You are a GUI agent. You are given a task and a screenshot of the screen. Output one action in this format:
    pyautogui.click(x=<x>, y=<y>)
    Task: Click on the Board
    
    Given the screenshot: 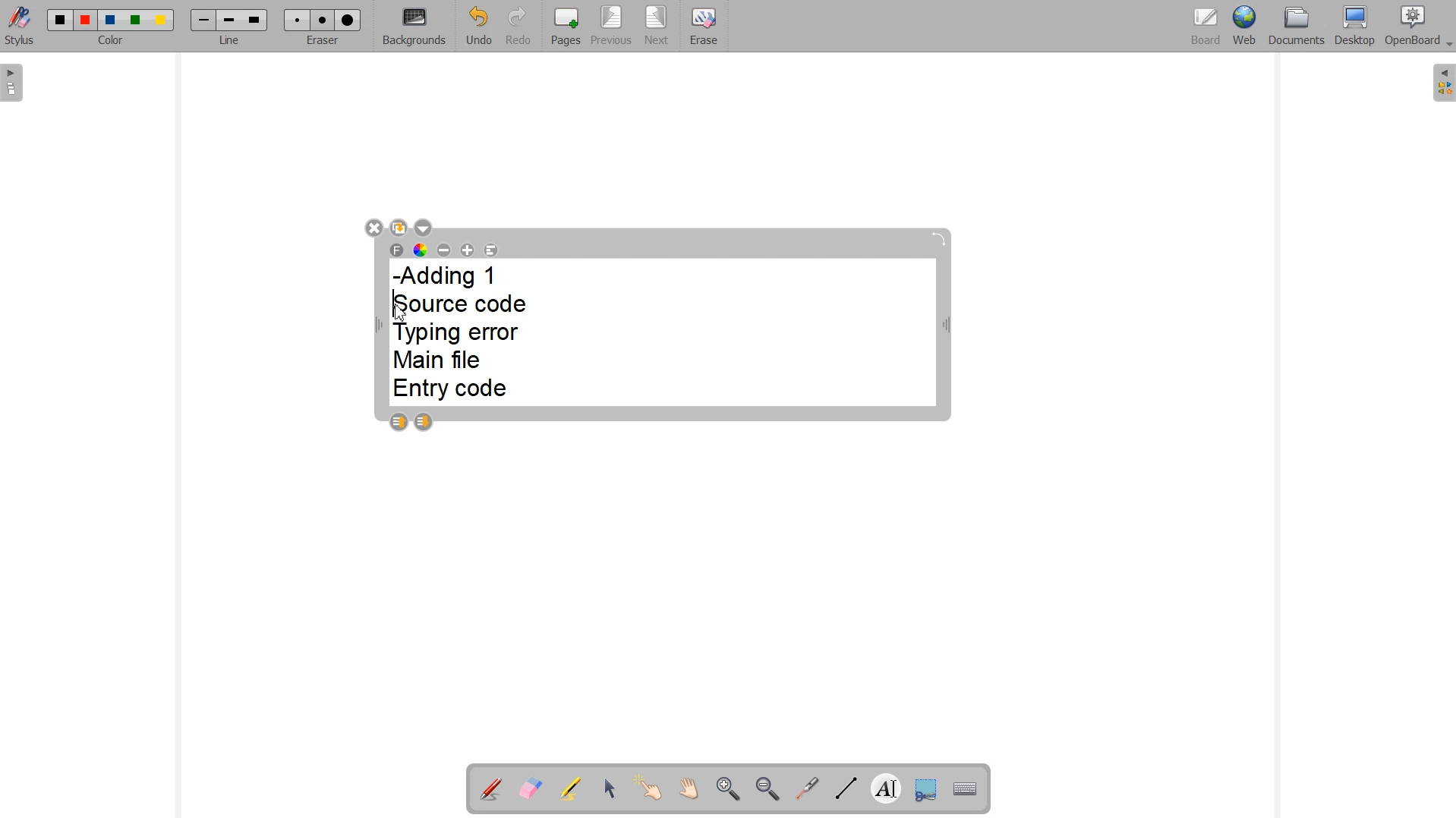 What is the action you would take?
    pyautogui.click(x=1206, y=27)
    